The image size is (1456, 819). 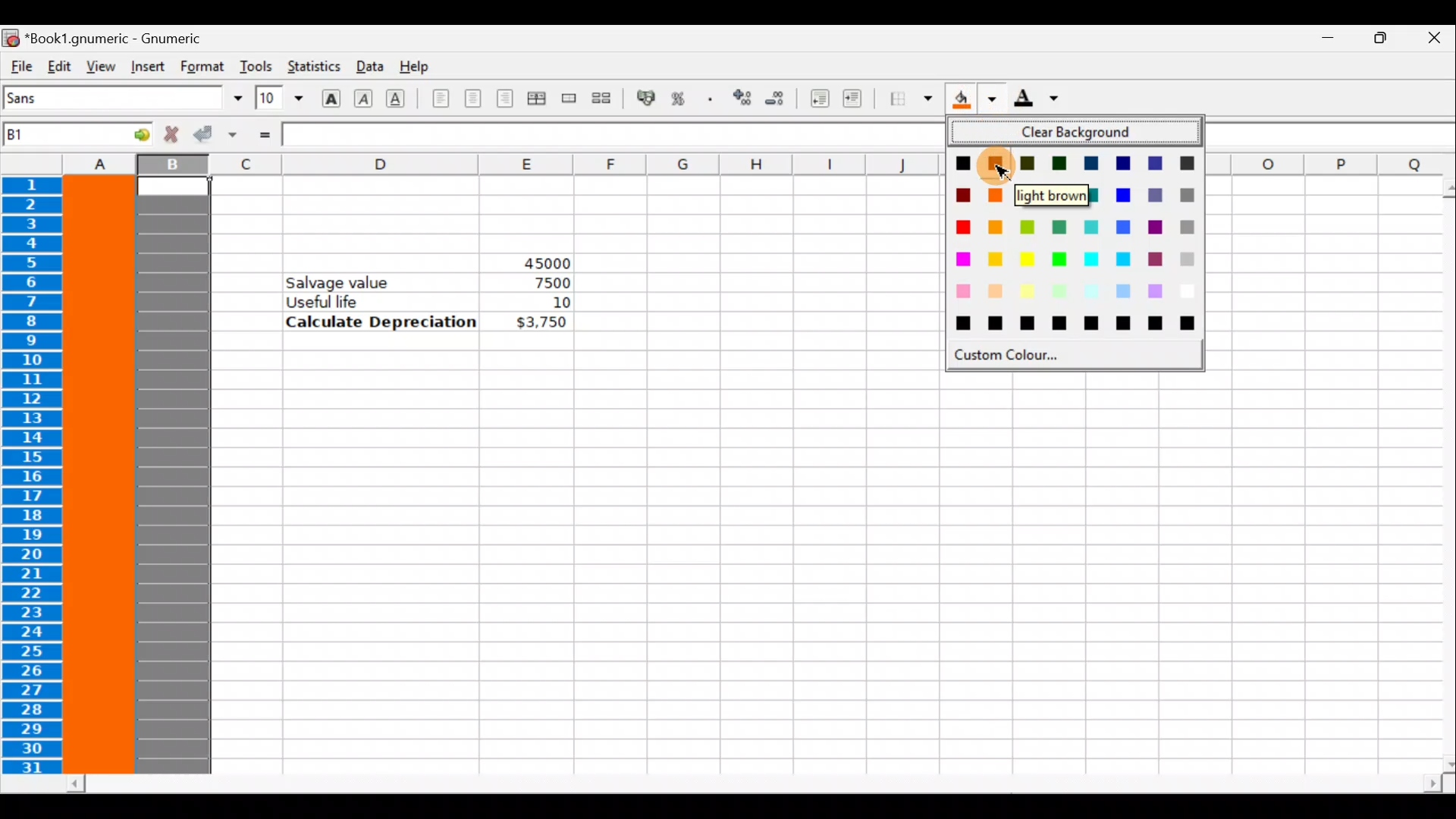 I want to click on Split merged range of cells, so click(x=602, y=97).